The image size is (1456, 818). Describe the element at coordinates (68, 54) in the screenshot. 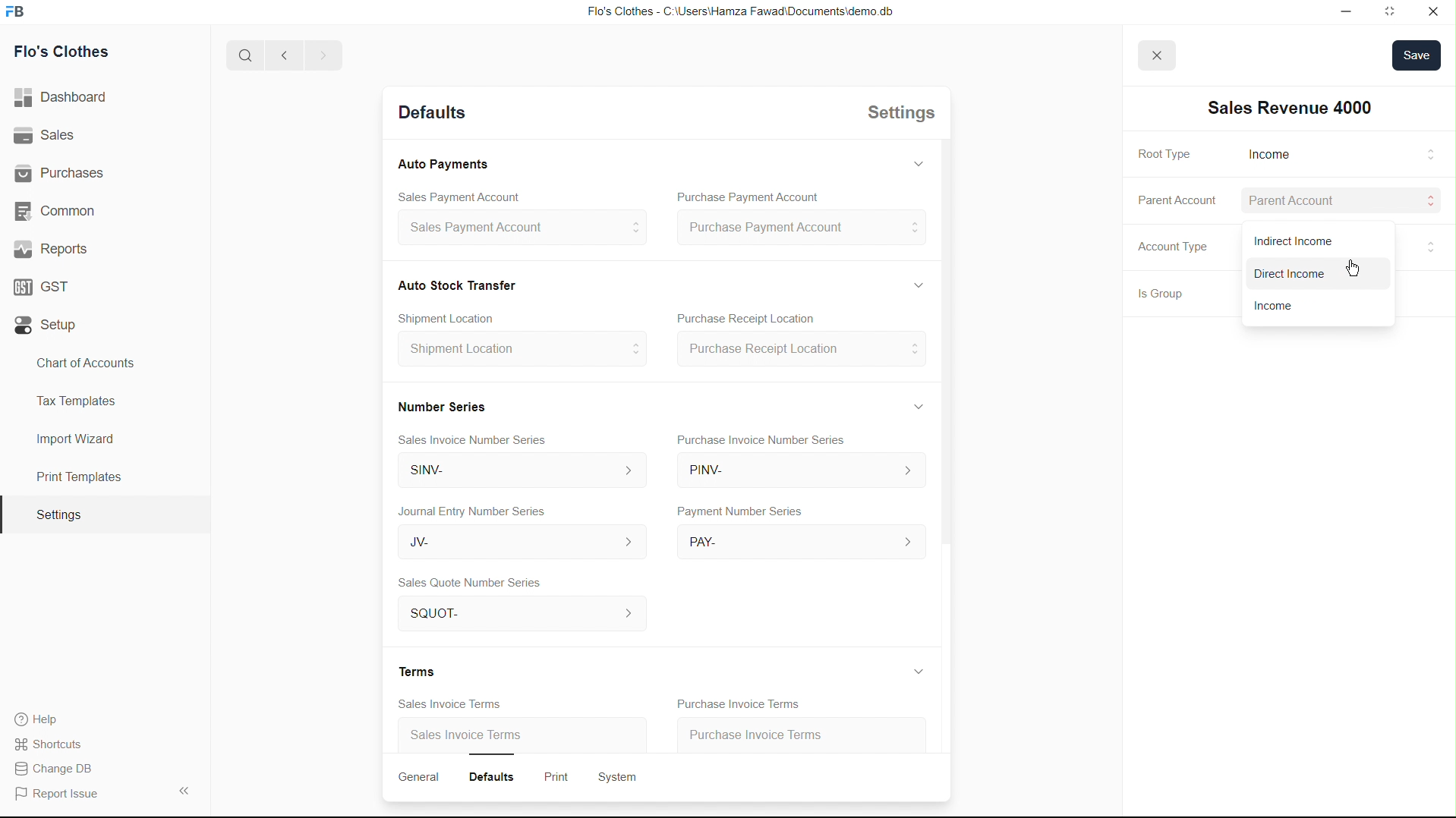

I see `Flo's Clothes` at that location.